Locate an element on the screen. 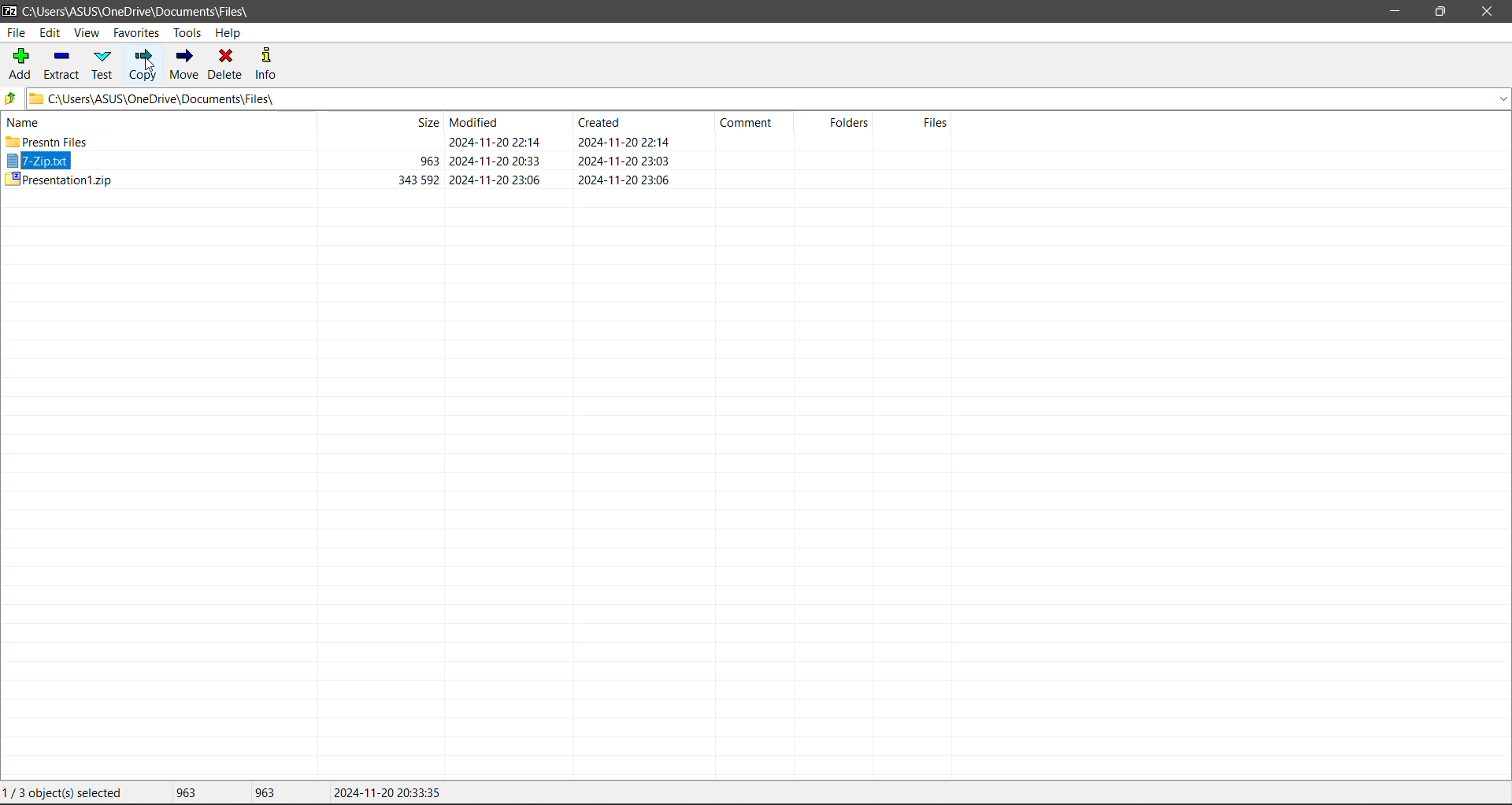  Minimize is located at coordinates (1393, 11).